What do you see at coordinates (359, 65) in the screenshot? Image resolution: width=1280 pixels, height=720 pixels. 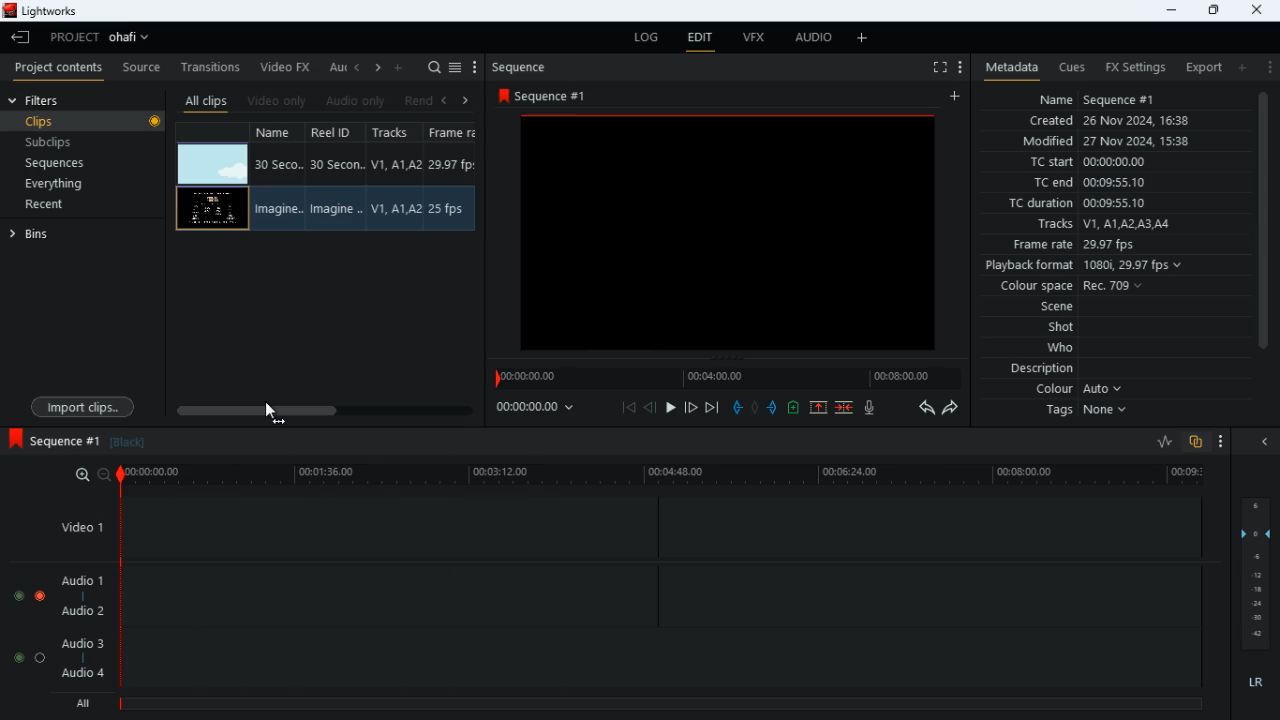 I see `left` at bounding box center [359, 65].